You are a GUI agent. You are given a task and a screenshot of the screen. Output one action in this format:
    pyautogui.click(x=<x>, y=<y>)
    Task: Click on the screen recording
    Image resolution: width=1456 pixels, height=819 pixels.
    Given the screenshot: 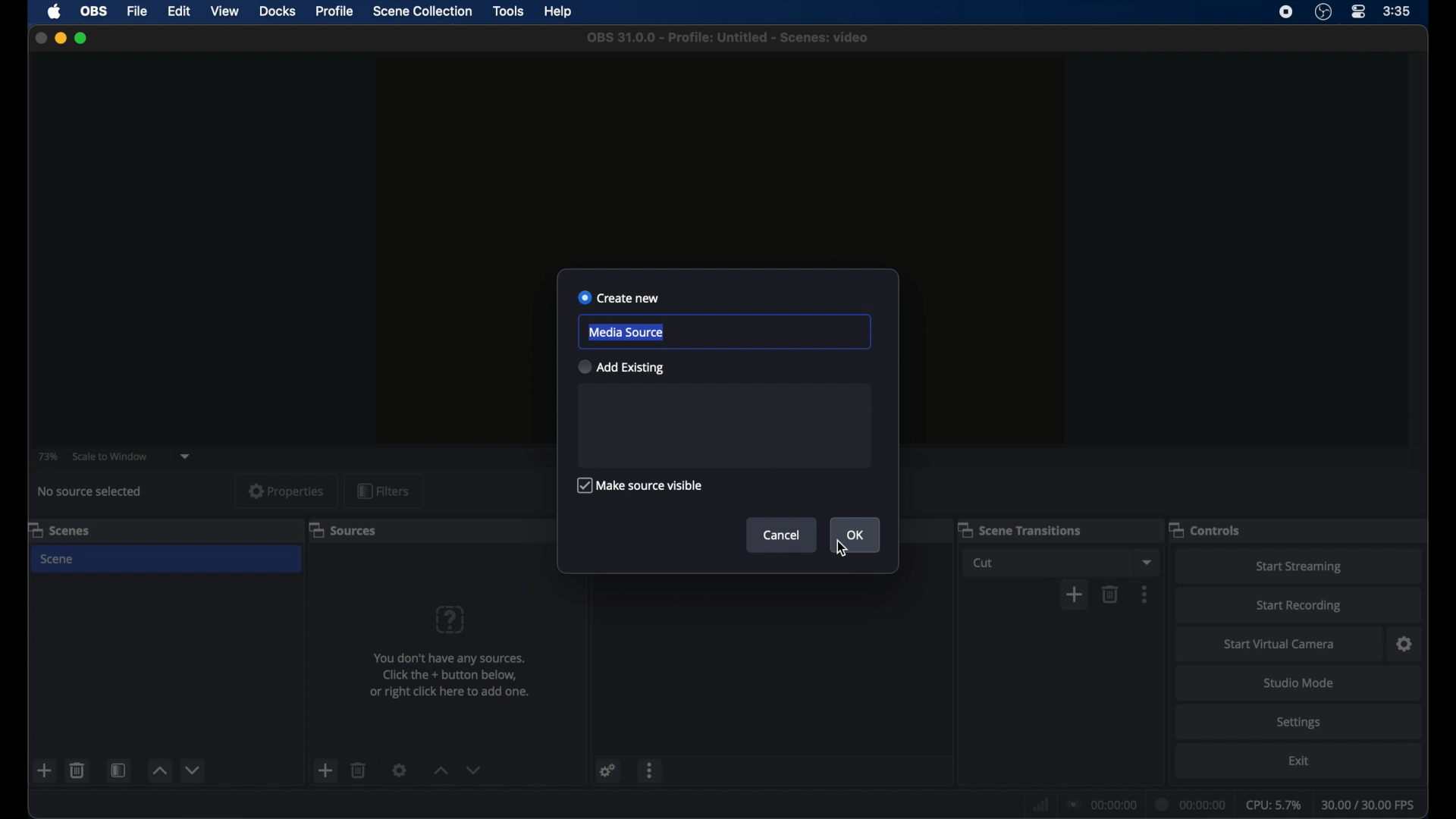 What is the action you would take?
    pyautogui.click(x=1286, y=12)
    